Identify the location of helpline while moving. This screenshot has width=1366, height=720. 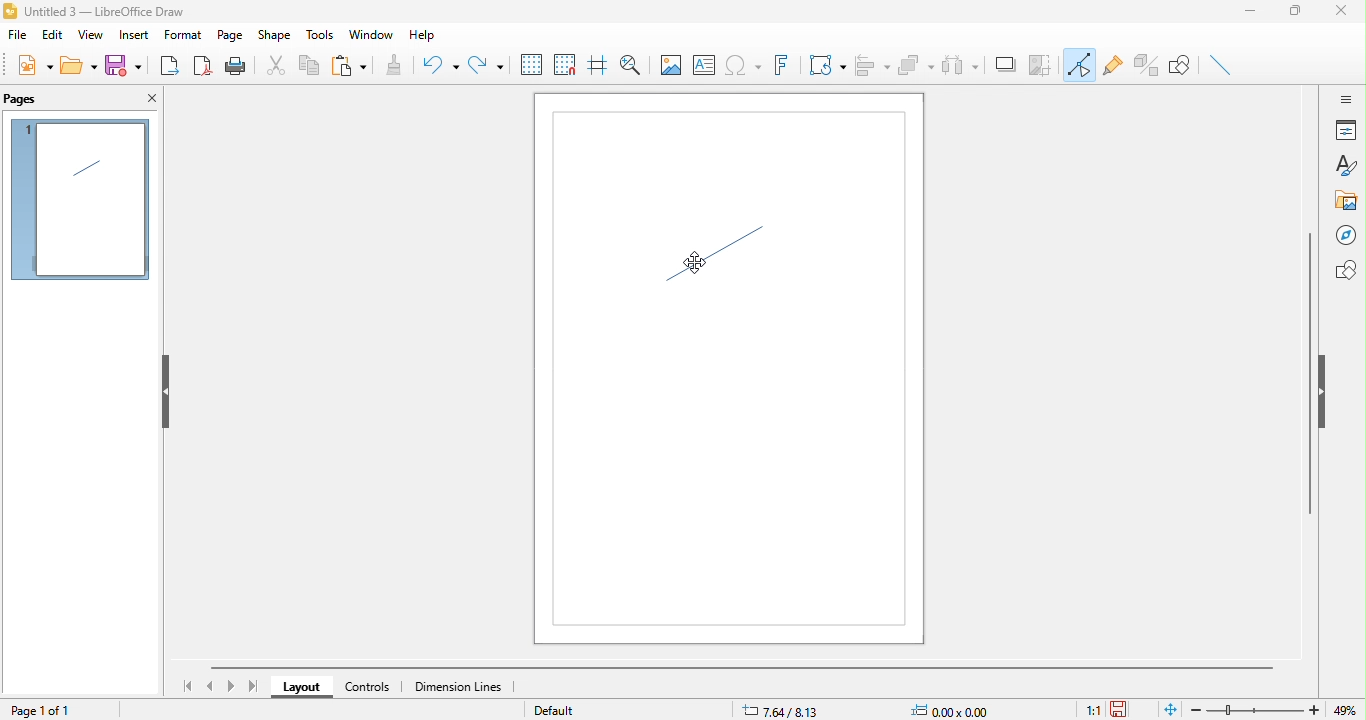
(596, 67).